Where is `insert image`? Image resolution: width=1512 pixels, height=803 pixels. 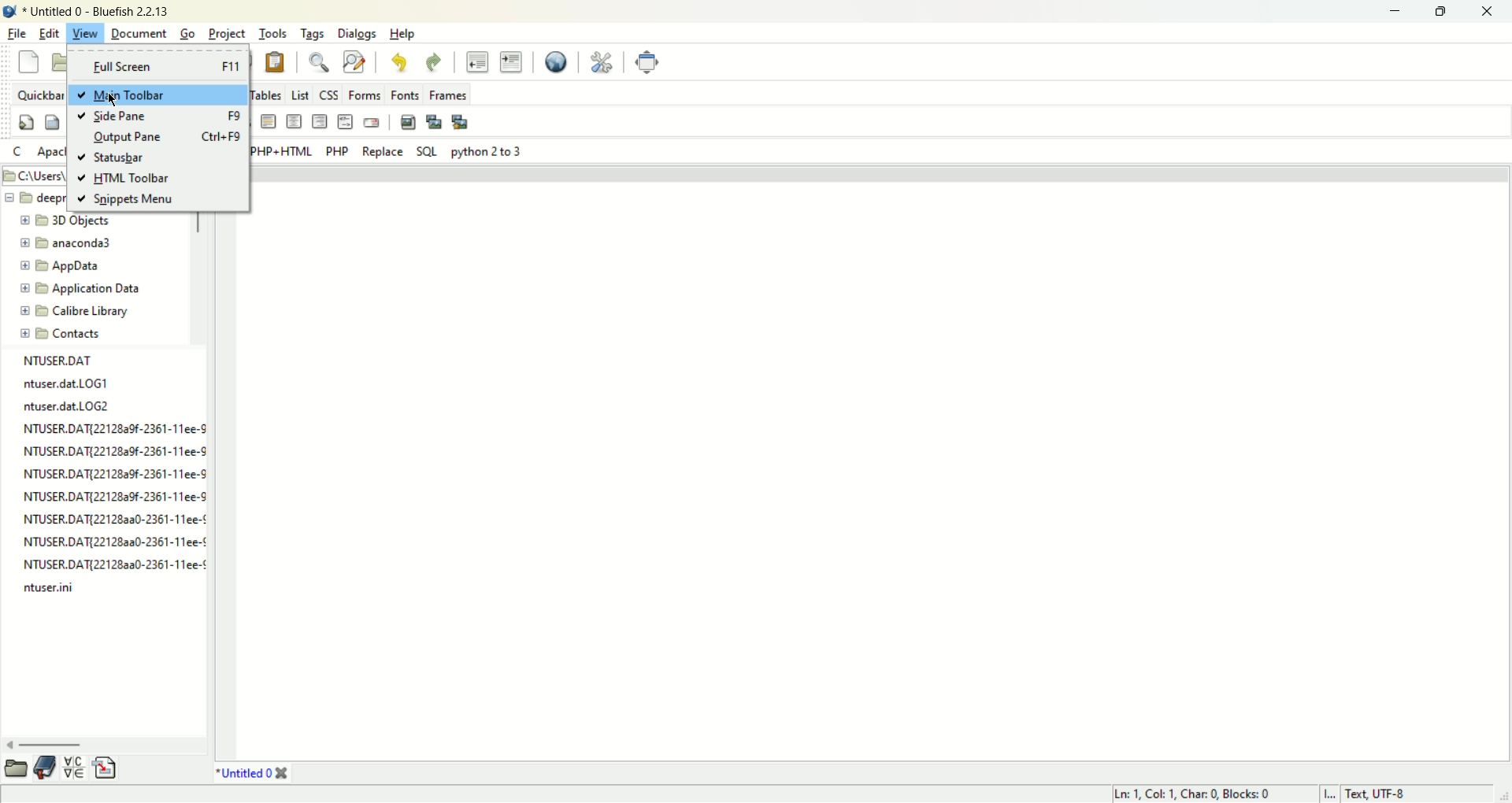
insert image is located at coordinates (408, 122).